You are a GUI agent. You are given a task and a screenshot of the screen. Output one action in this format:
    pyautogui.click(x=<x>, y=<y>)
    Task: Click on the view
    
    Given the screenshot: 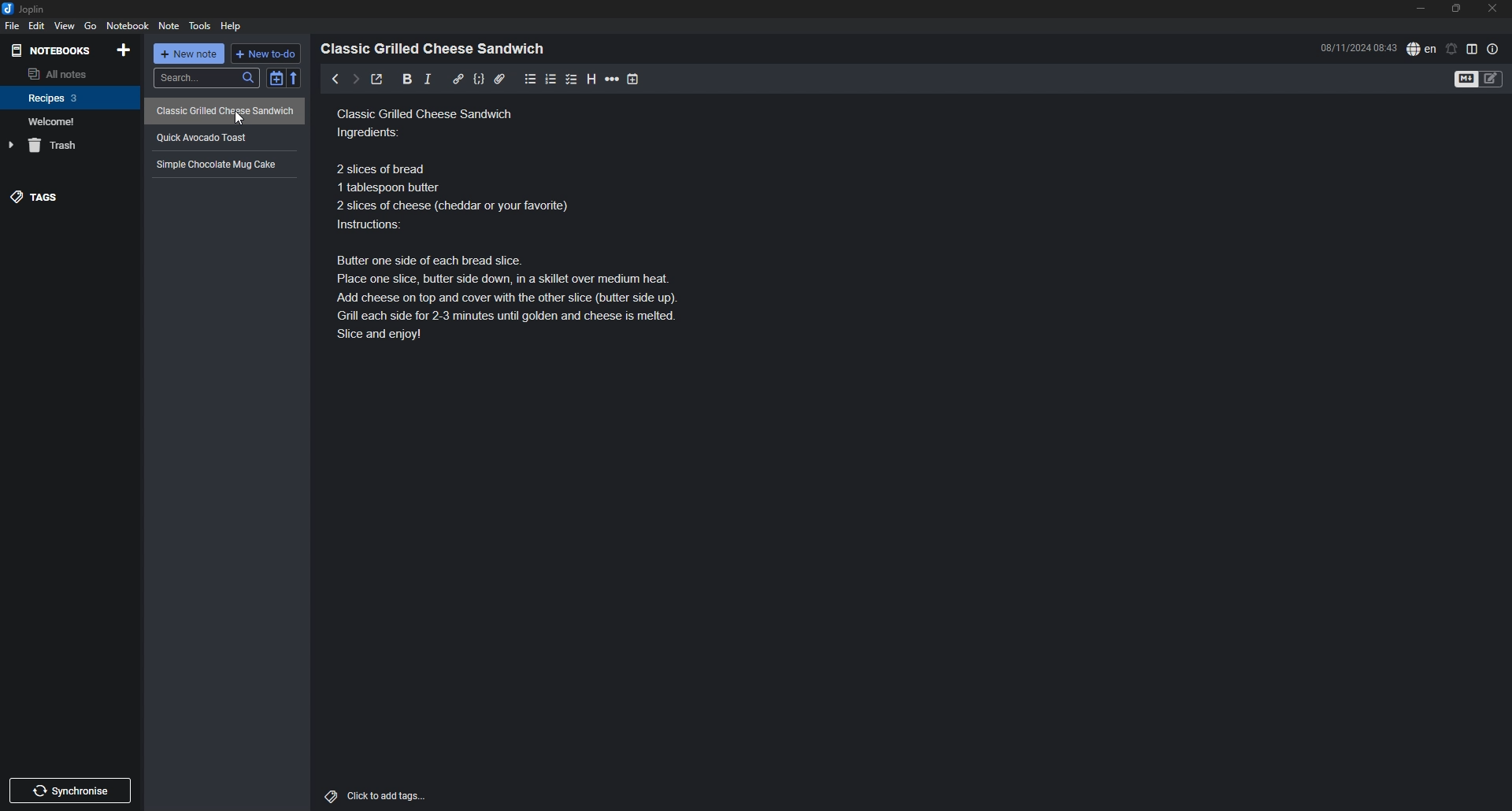 What is the action you would take?
    pyautogui.click(x=64, y=26)
    